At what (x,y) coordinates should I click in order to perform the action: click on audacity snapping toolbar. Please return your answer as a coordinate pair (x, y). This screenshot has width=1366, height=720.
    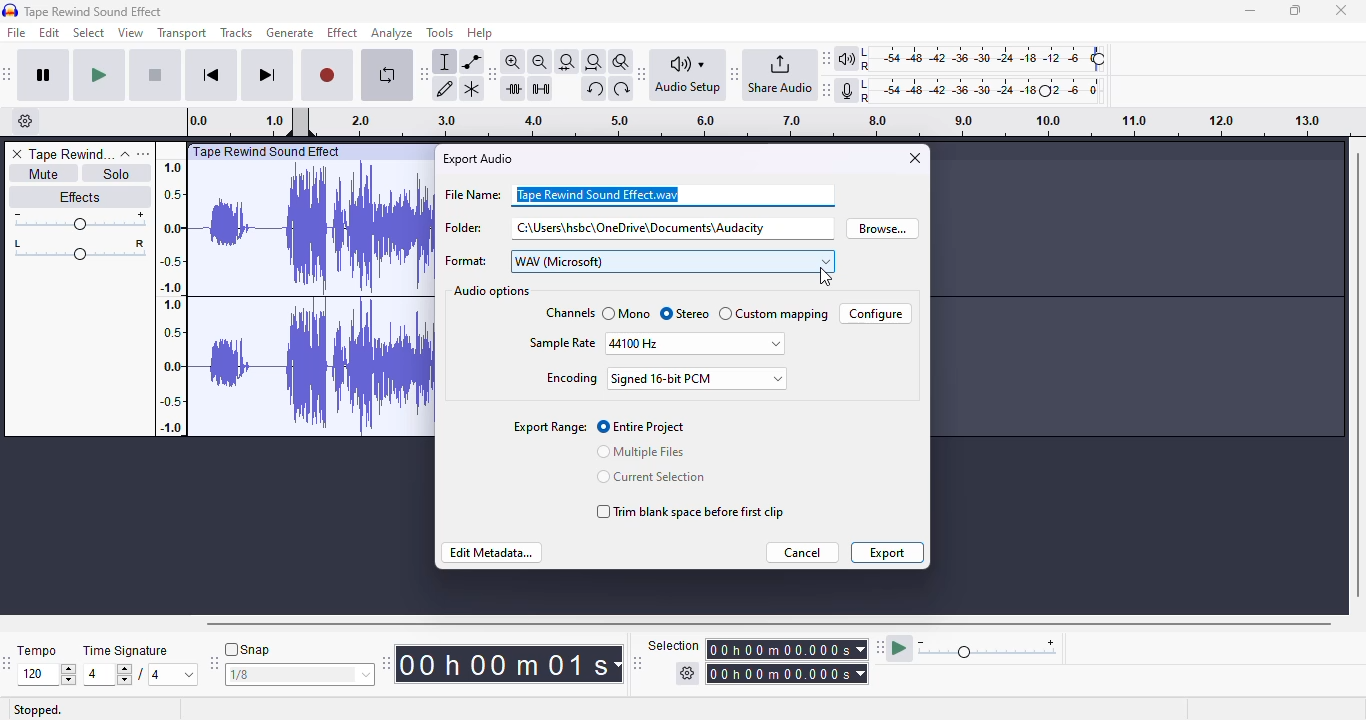
    Looking at the image, I should click on (293, 661).